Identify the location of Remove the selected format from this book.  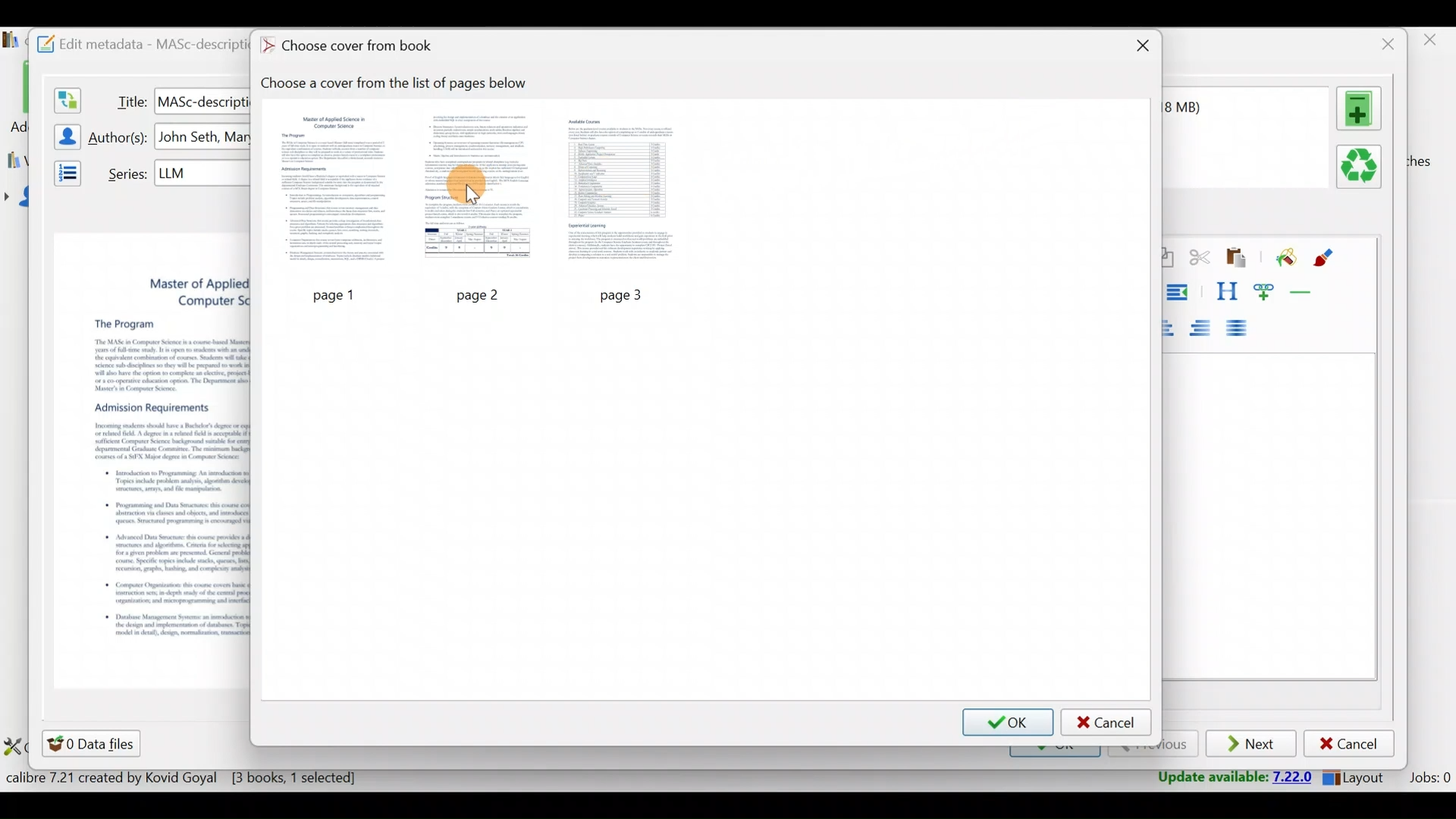
(1362, 168).